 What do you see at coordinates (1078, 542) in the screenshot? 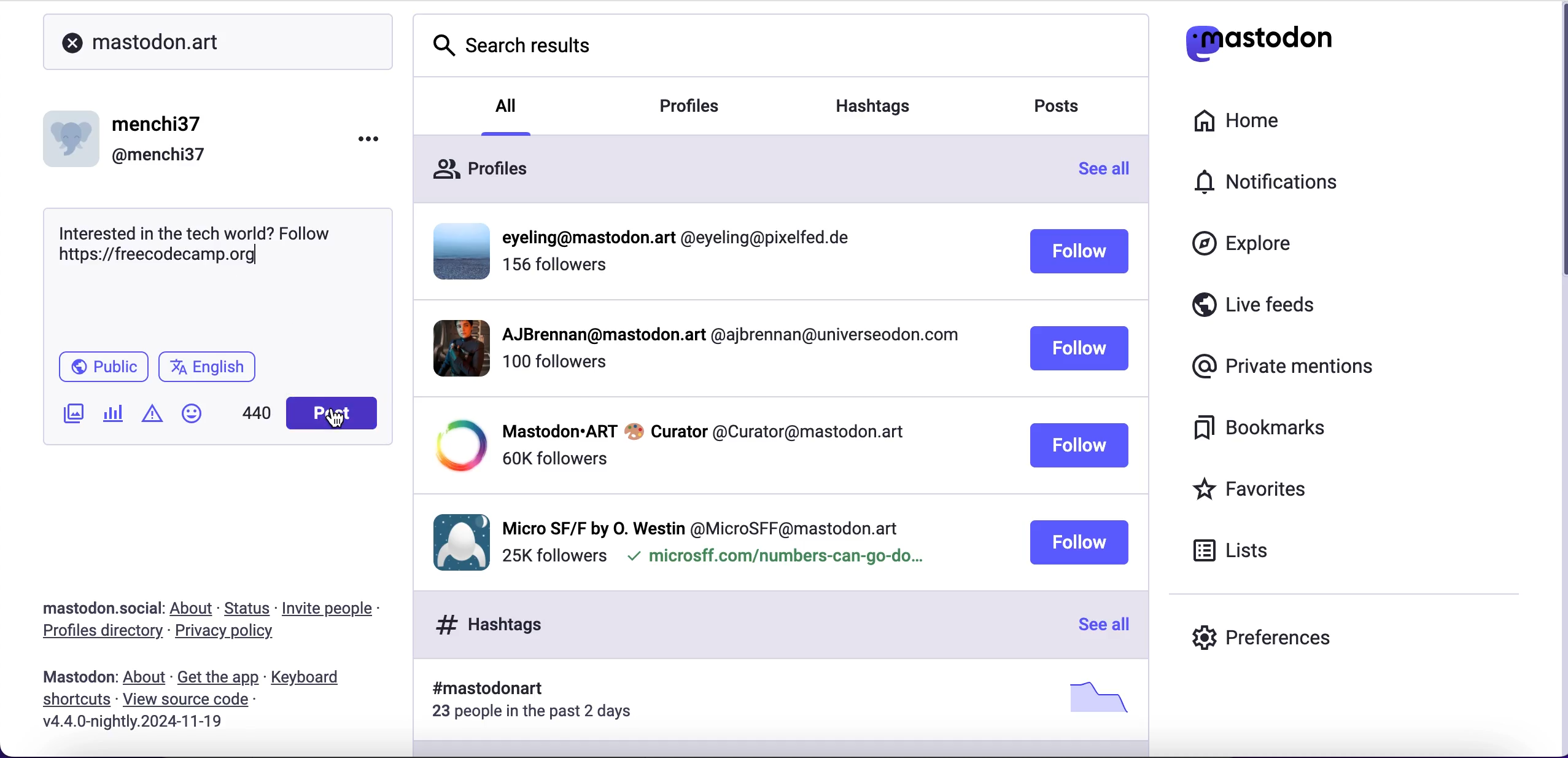
I see `follow` at bounding box center [1078, 542].